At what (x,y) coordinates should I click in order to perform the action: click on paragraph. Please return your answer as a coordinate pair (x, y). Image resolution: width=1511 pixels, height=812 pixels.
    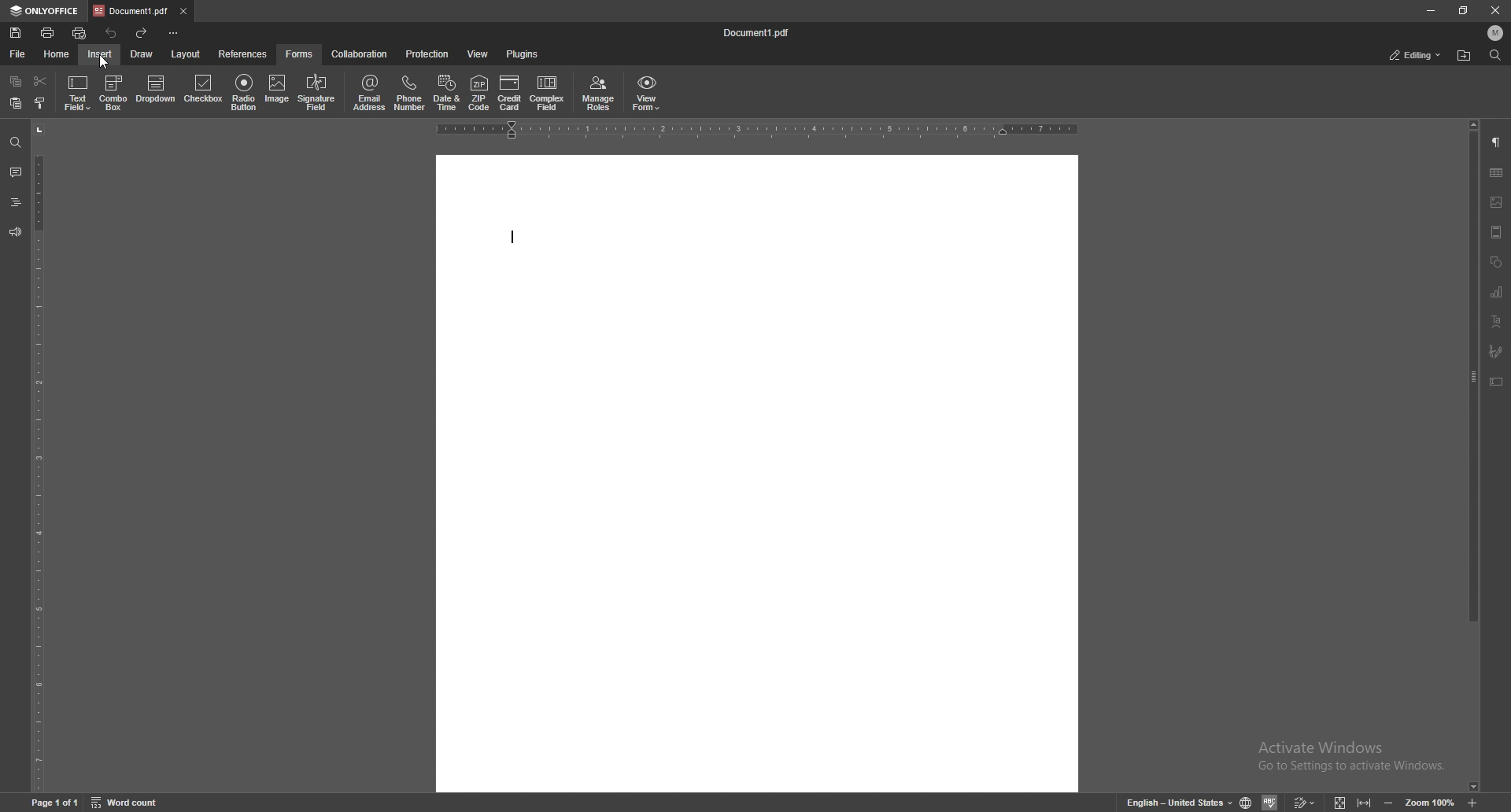
    Looking at the image, I should click on (1497, 144).